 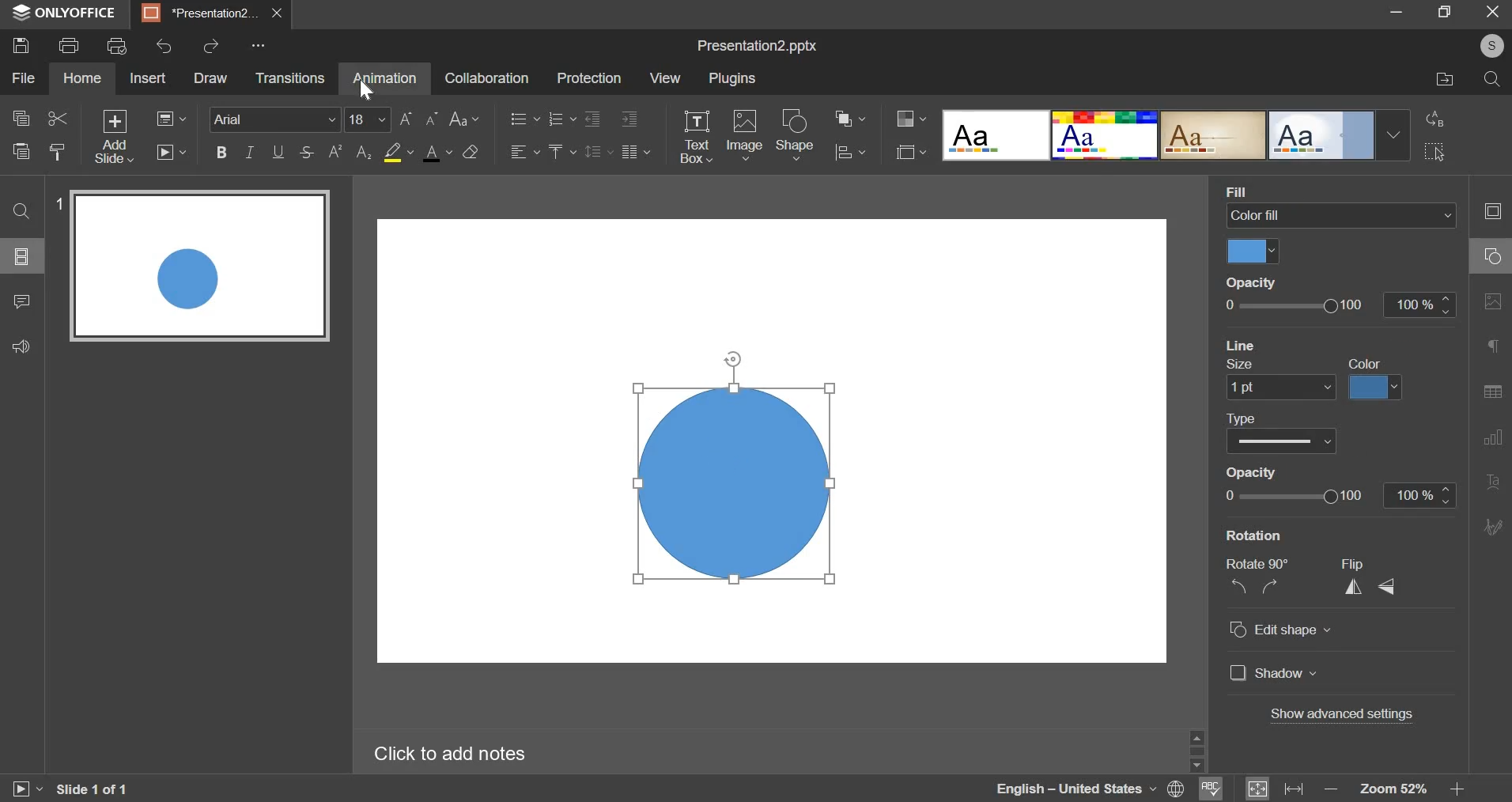 I want to click on collaboration, so click(x=486, y=78).